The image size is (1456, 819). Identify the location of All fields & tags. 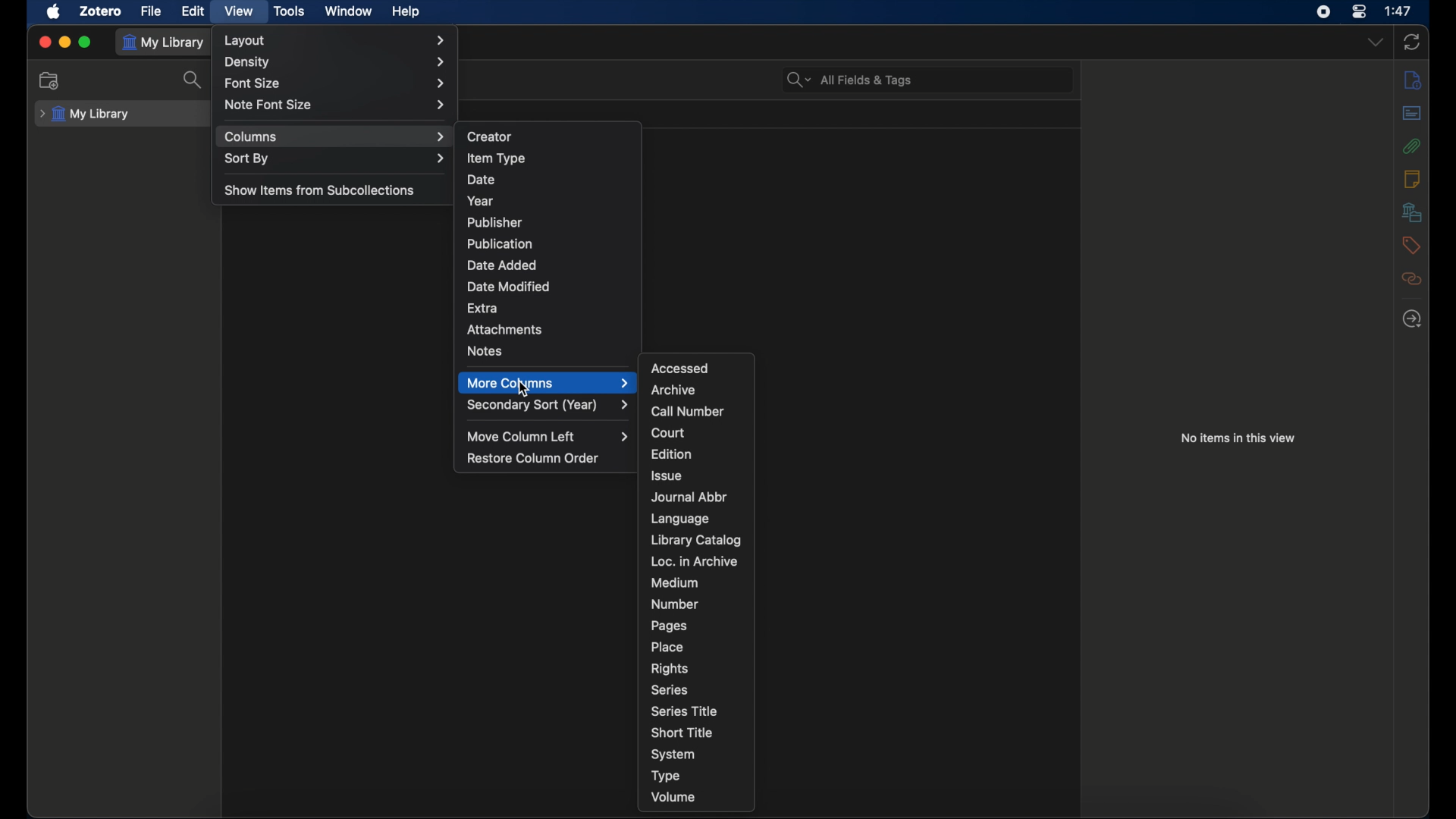
(849, 80).